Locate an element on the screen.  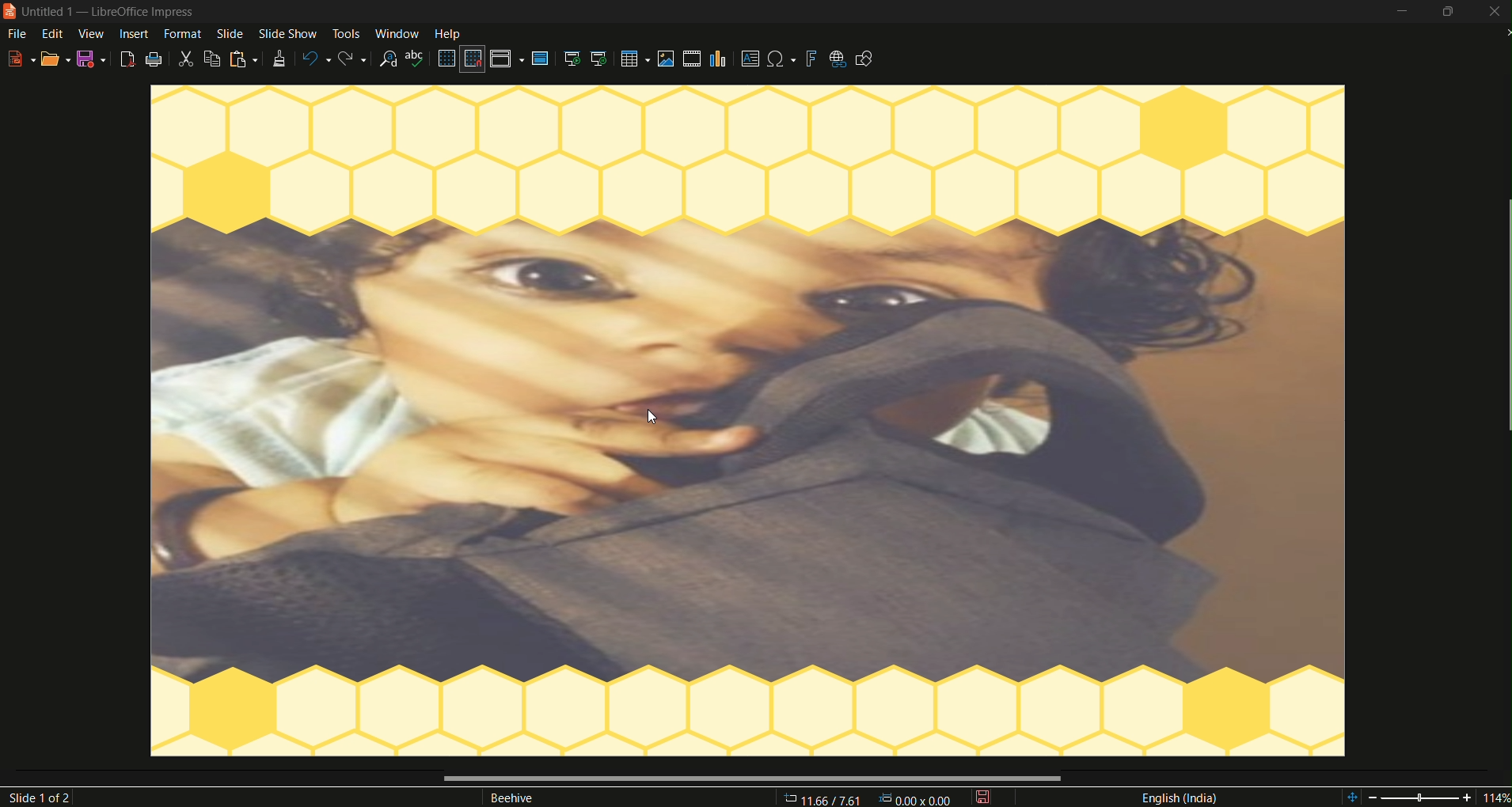
insert textbox is located at coordinates (750, 58).